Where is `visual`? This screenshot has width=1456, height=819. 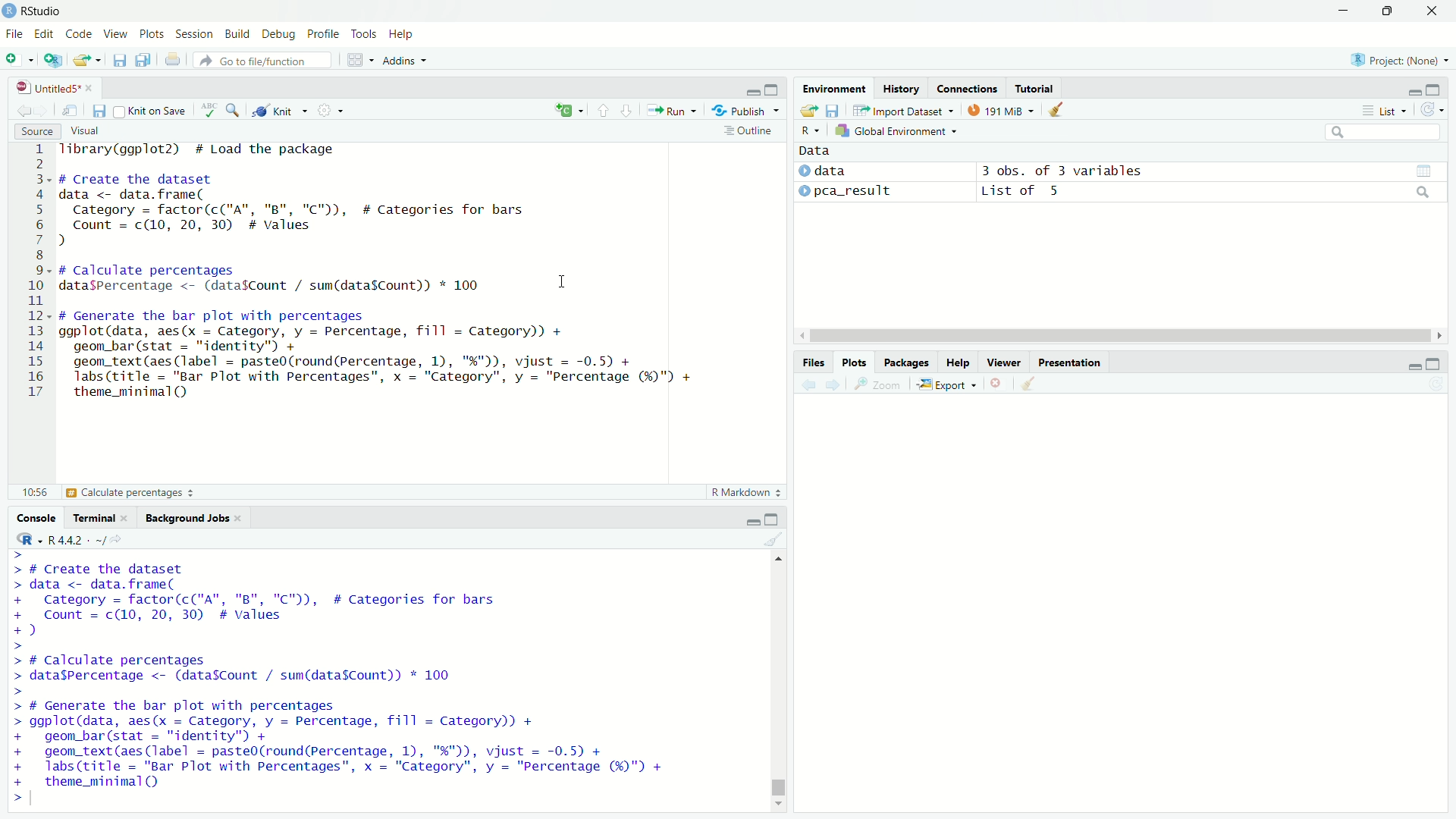 visual is located at coordinates (89, 130).